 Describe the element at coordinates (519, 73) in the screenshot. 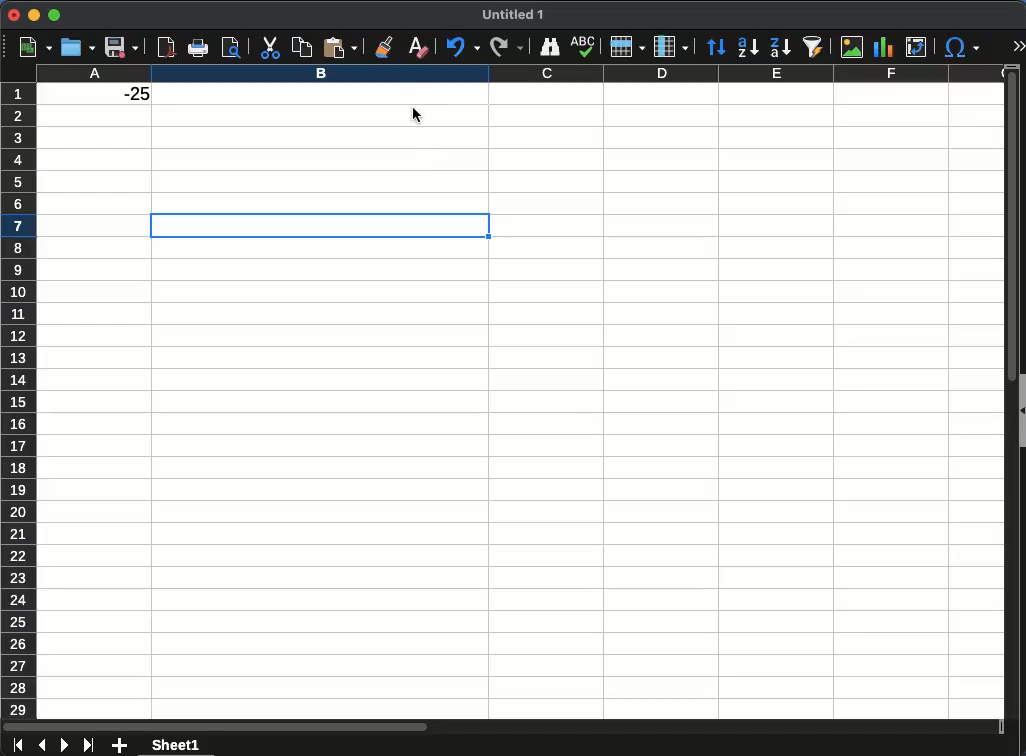

I see `column` at that location.